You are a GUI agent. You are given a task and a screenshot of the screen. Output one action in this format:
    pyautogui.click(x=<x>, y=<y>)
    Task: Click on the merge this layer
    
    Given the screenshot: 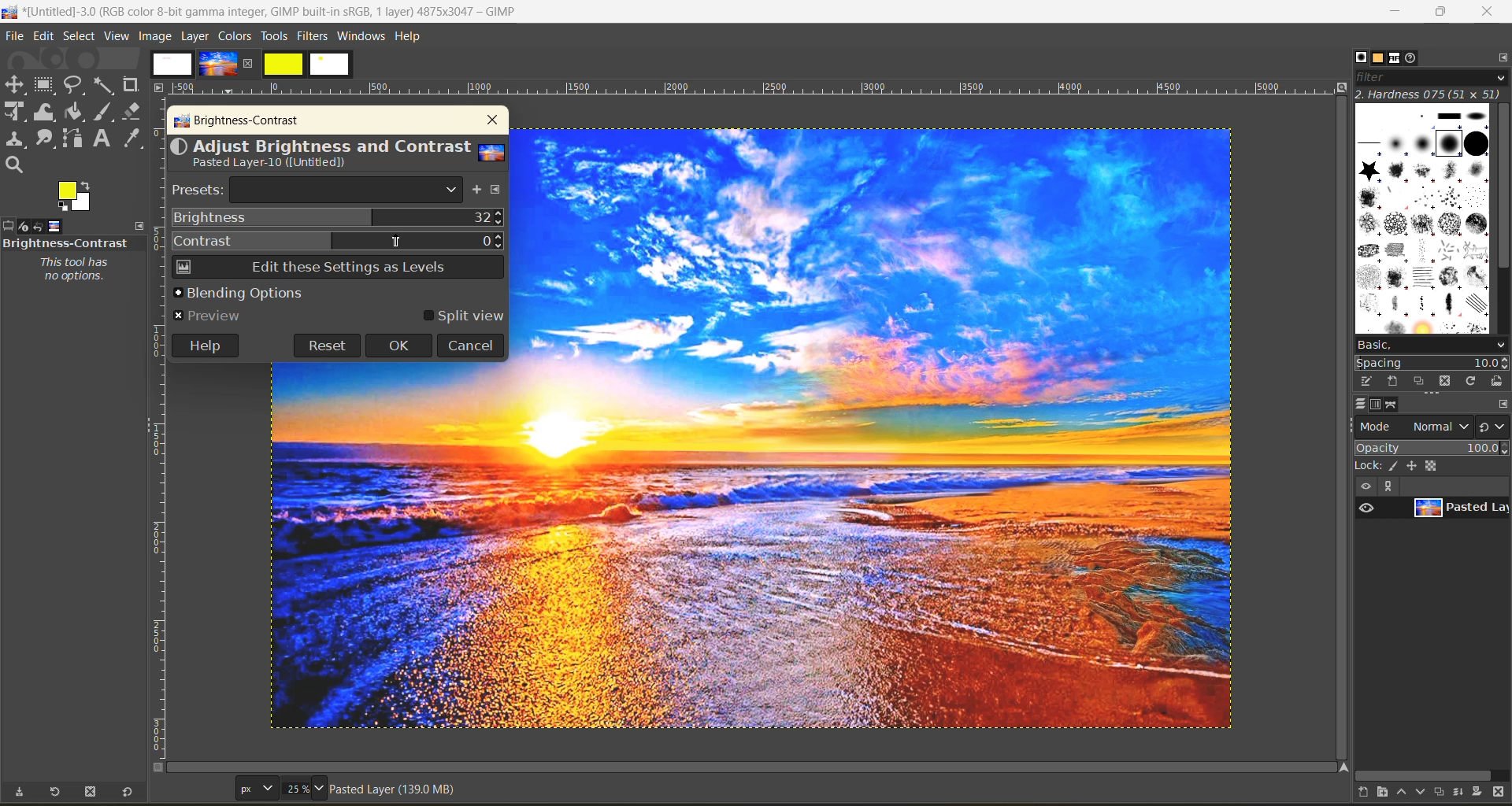 What is the action you would take?
    pyautogui.click(x=1465, y=794)
    